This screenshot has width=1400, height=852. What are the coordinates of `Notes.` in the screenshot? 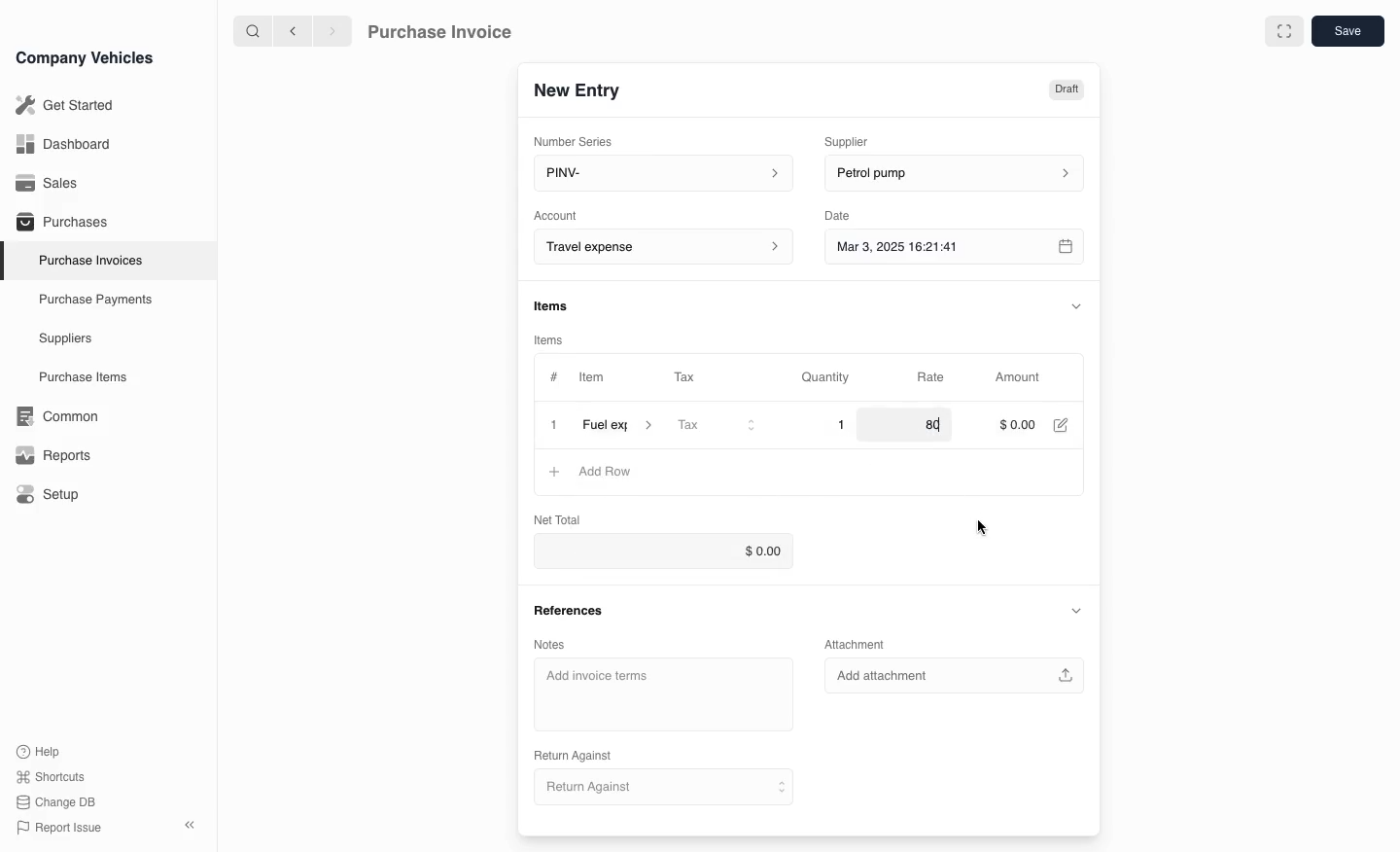 It's located at (561, 641).